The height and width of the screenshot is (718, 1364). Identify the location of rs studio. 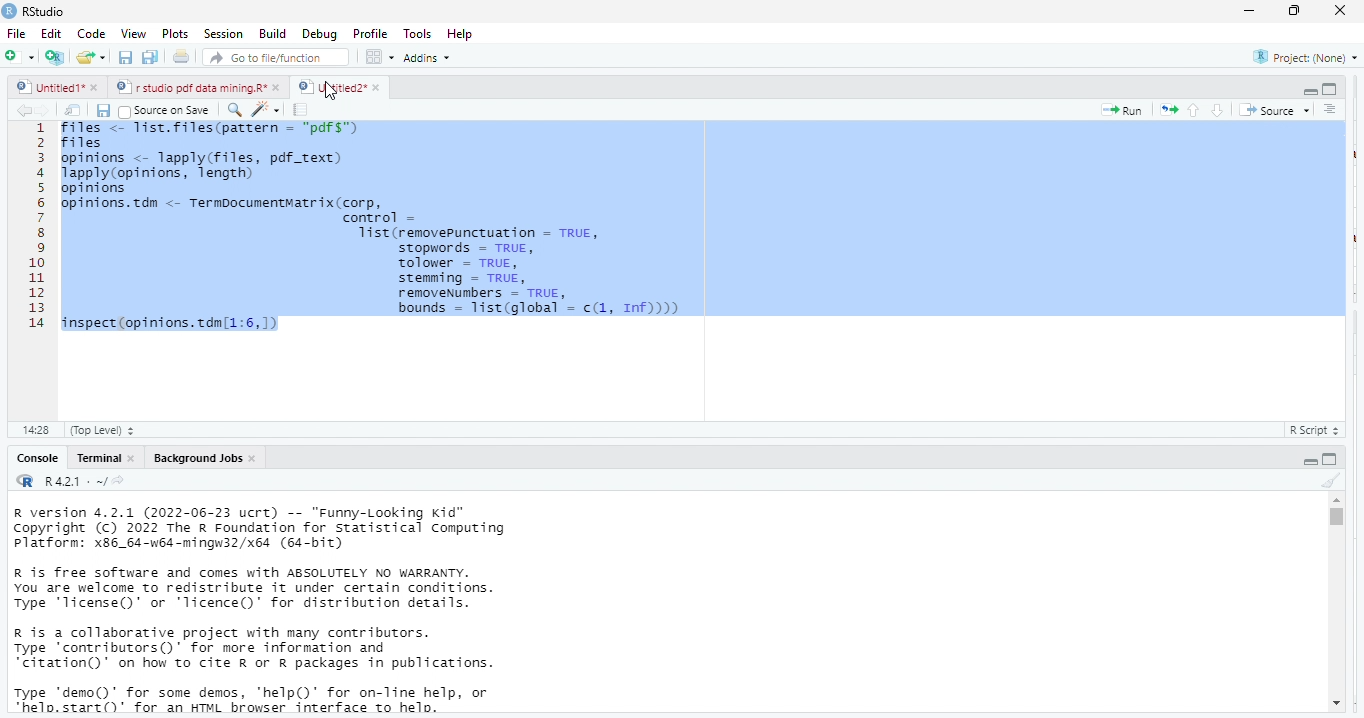
(45, 11).